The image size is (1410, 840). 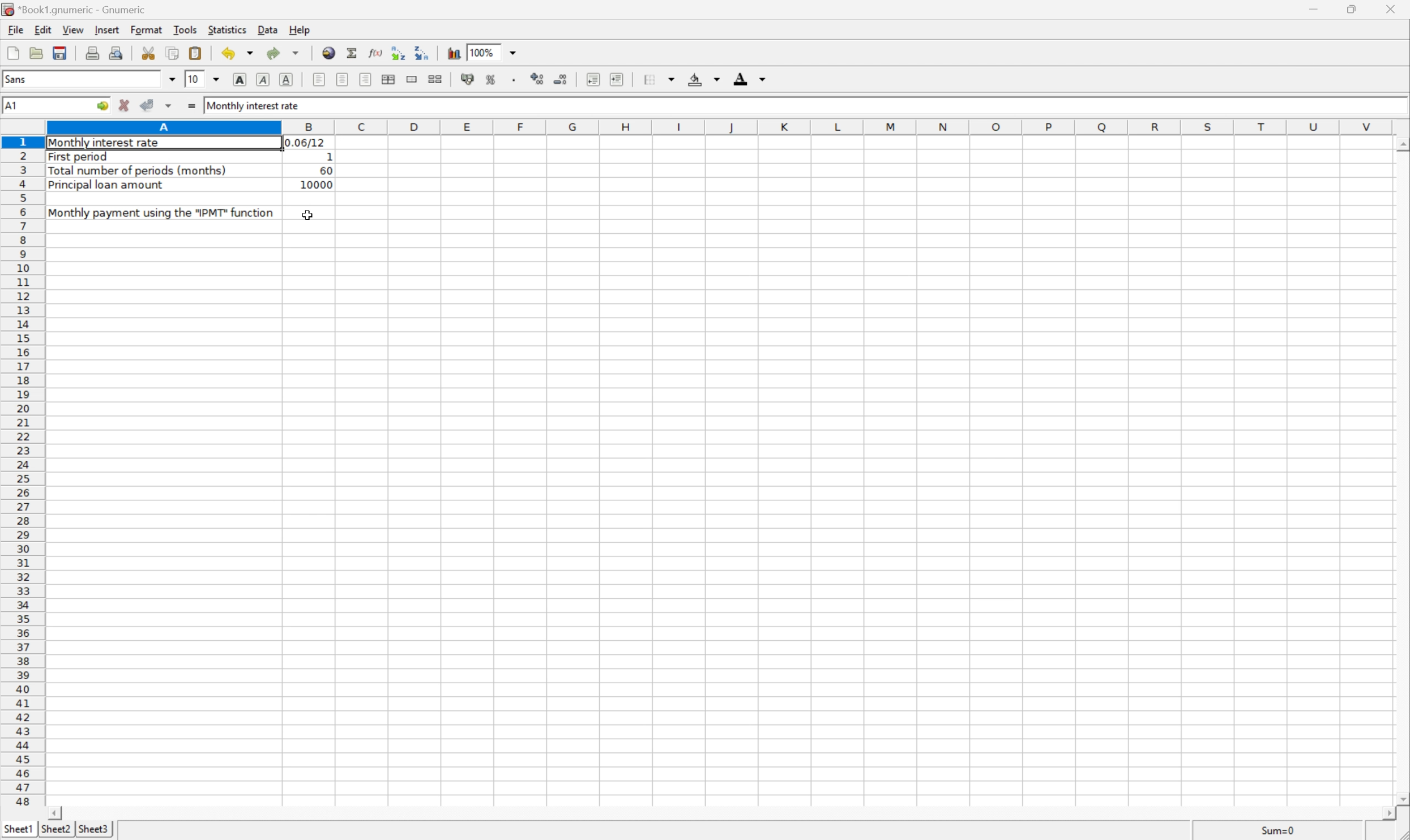 I want to click on Bold, so click(x=240, y=78).